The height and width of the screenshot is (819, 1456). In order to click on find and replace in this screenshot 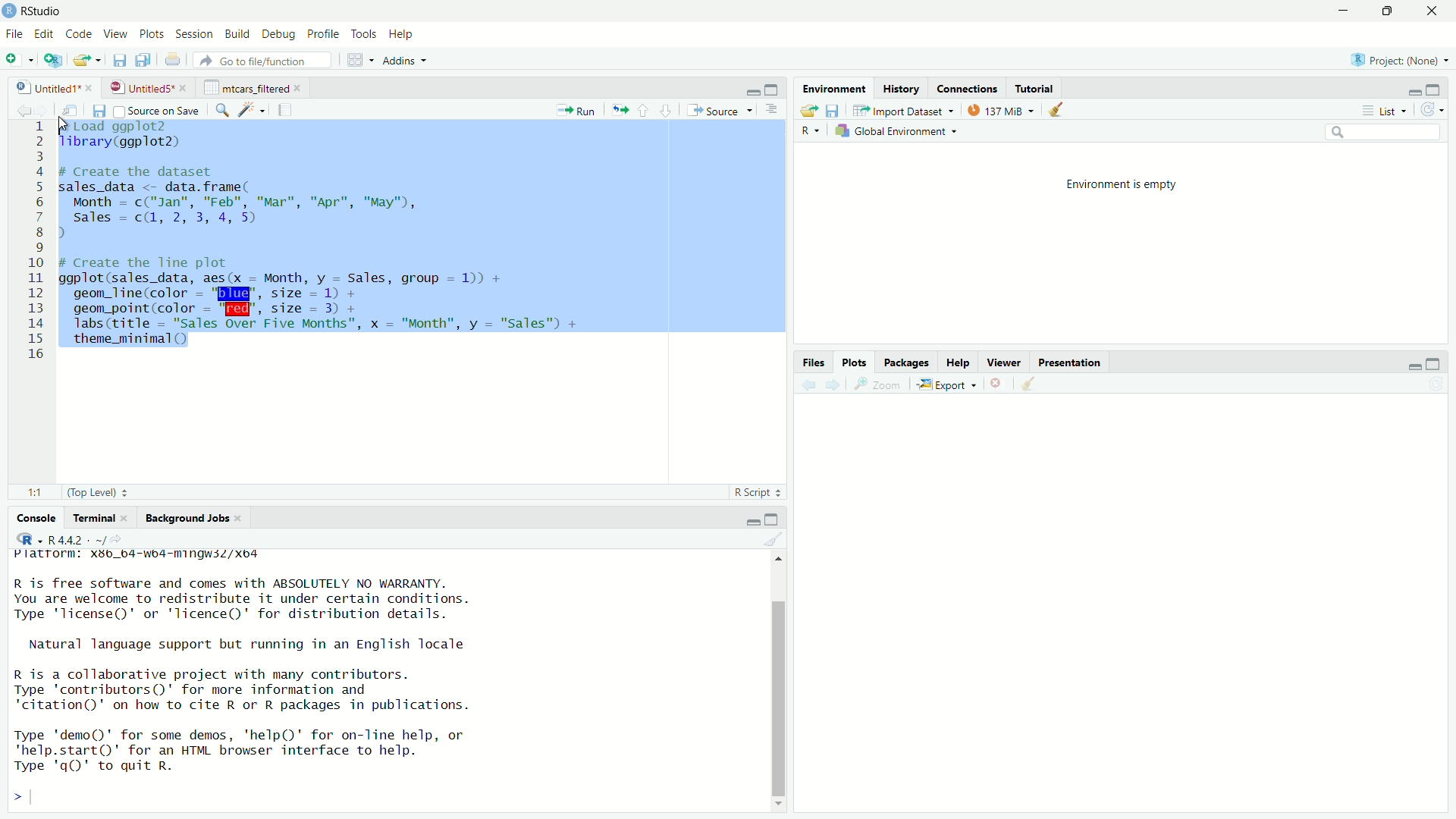, I will do `click(222, 111)`.